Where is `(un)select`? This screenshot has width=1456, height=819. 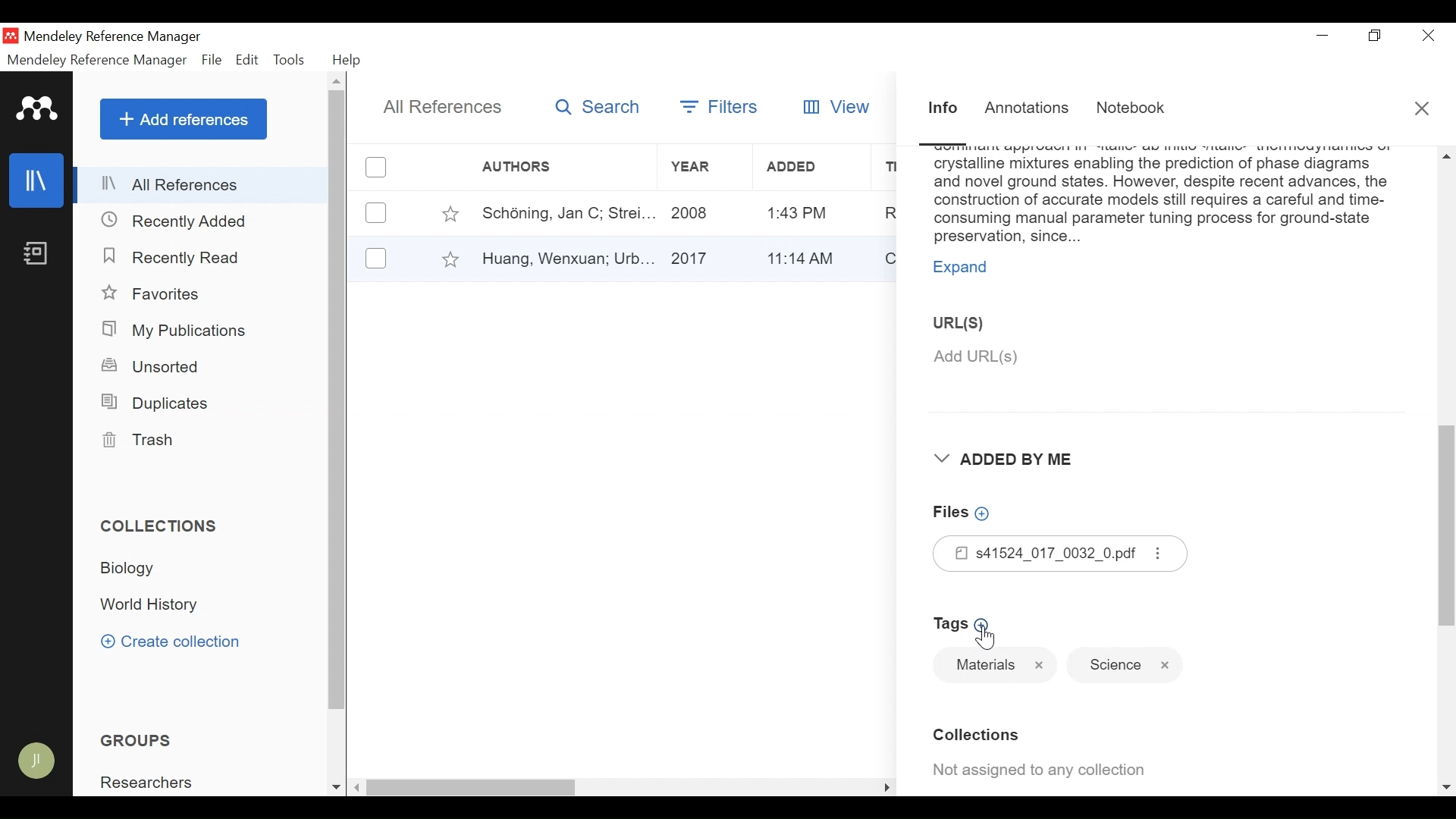
(un)select is located at coordinates (376, 213).